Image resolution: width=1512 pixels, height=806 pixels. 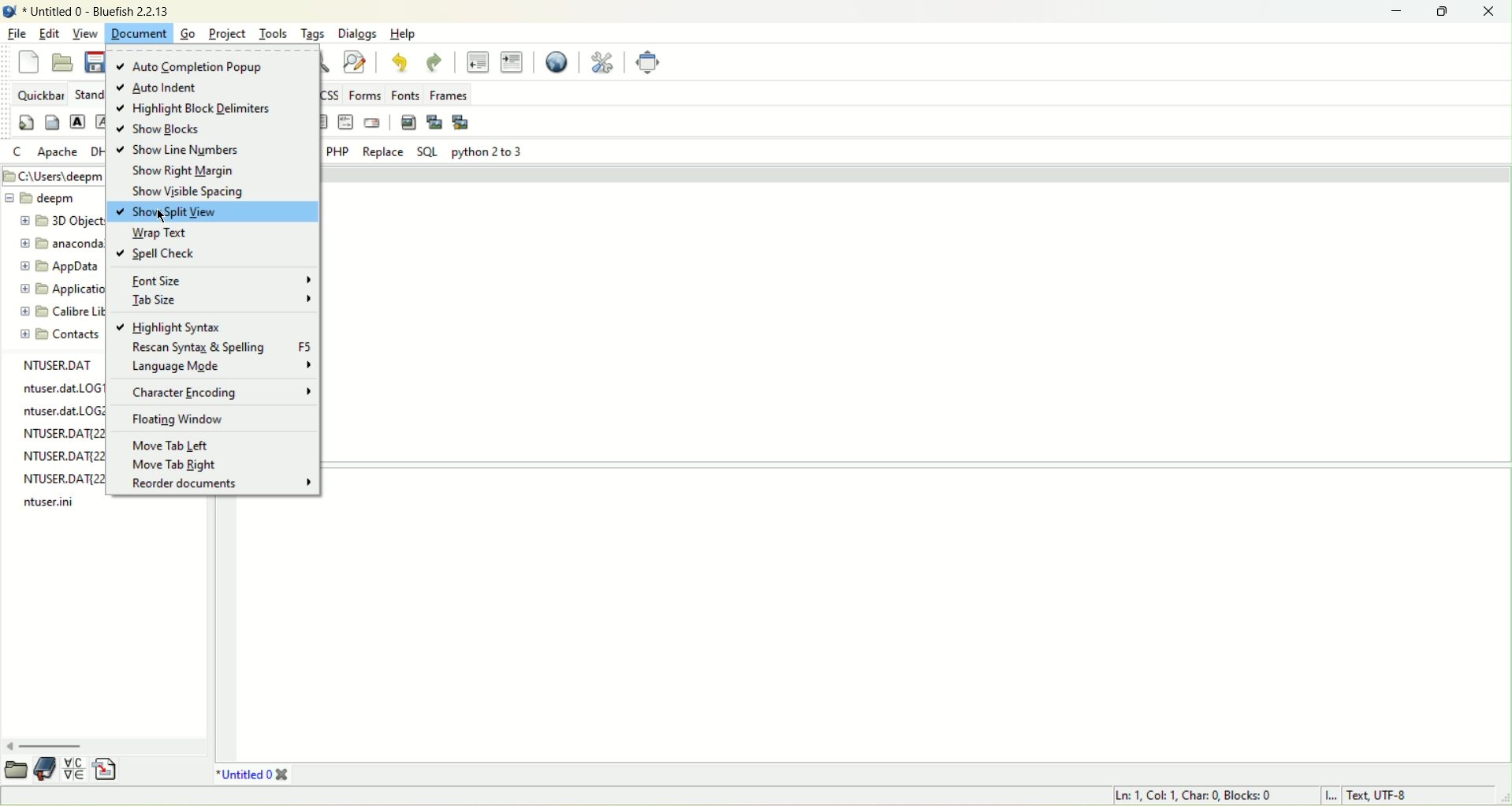 What do you see at coordinates (59, 152) in the screenshot?
I see `apache` at bounding box center [59, 152].